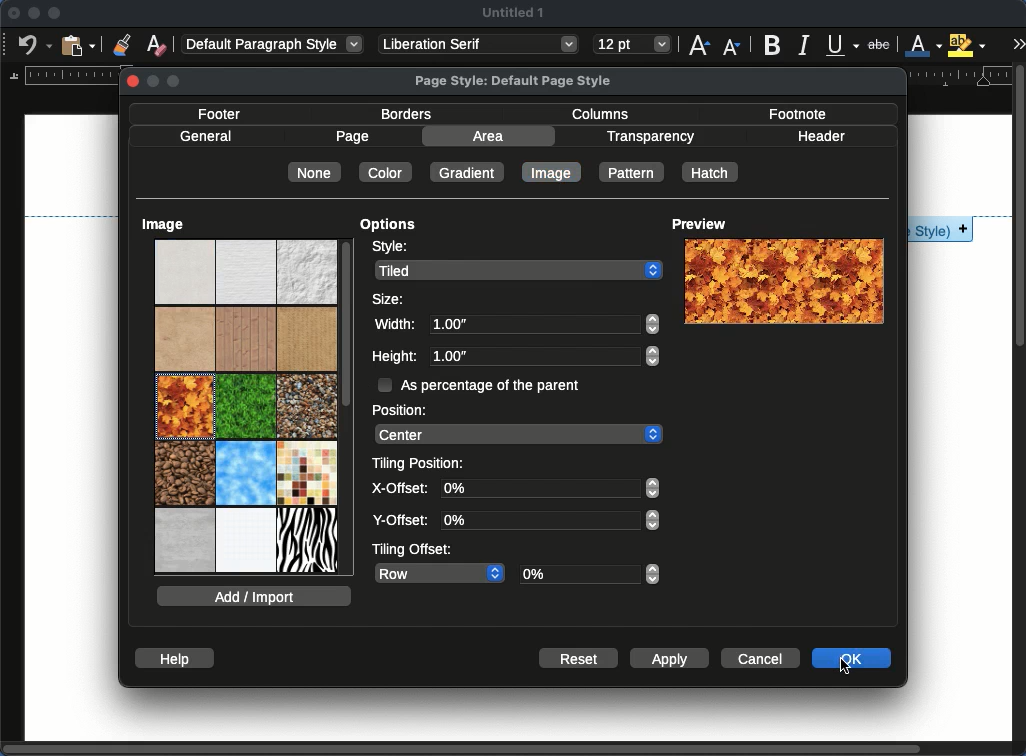 The width and height of the screenshot is (1026, 756). What do you see at coordinates (206, 137) in the screenshot?
I see `general` at bounding box center [206, 137].